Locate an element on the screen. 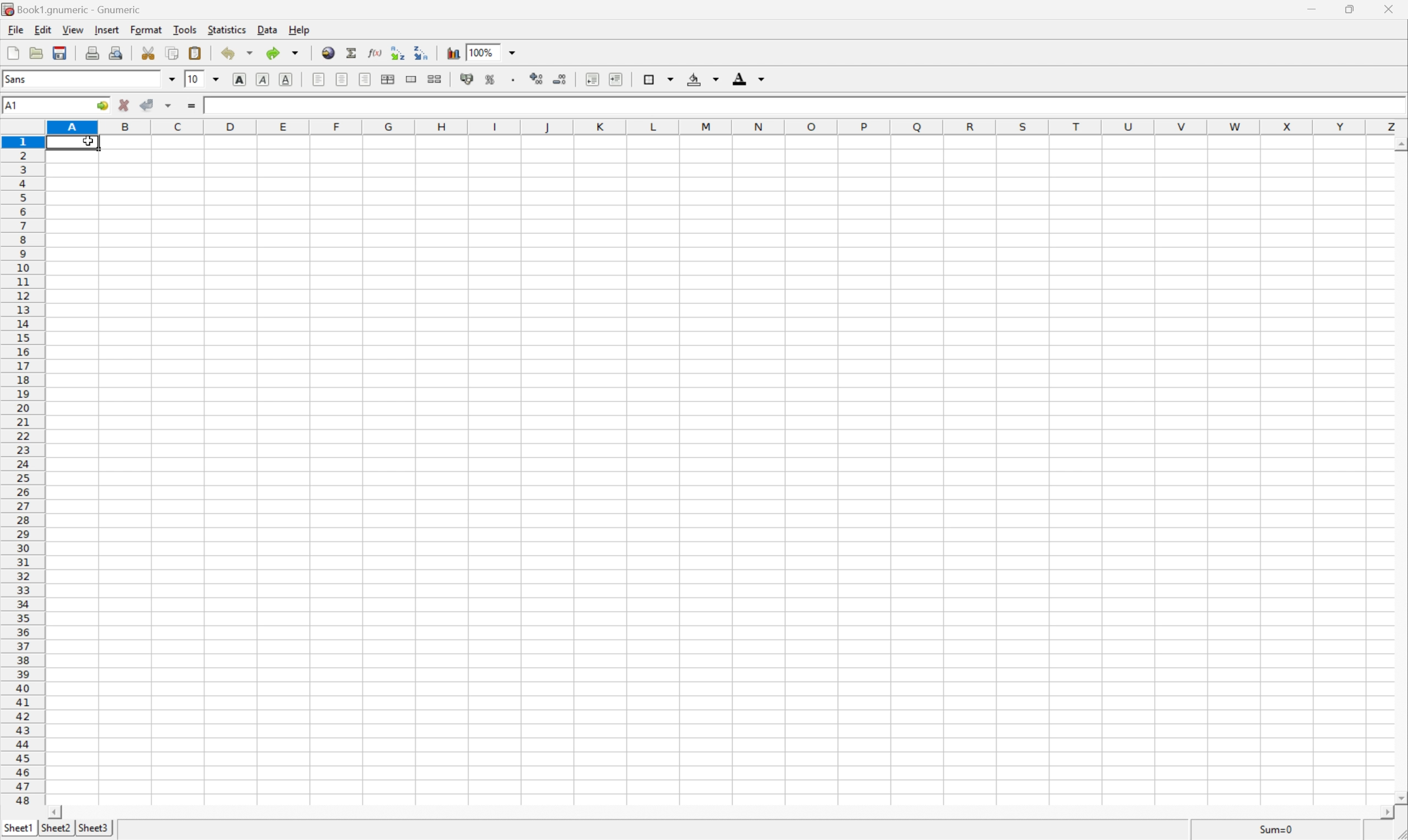 This screenshot has height=840, width=1408. underline is located at coordinates (287, 78).